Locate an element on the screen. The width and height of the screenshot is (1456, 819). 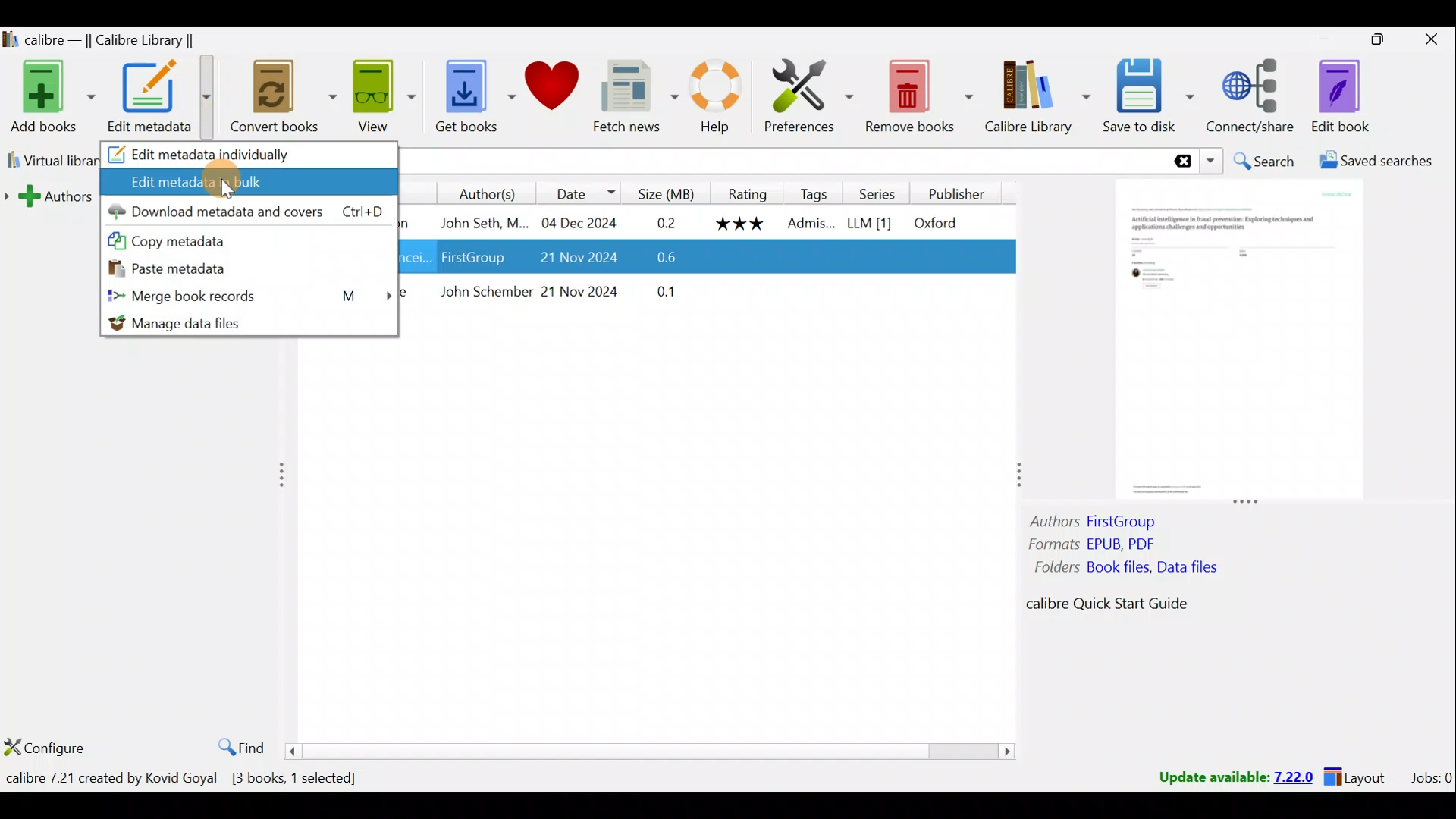
Size is located at coordinates (666, 191).